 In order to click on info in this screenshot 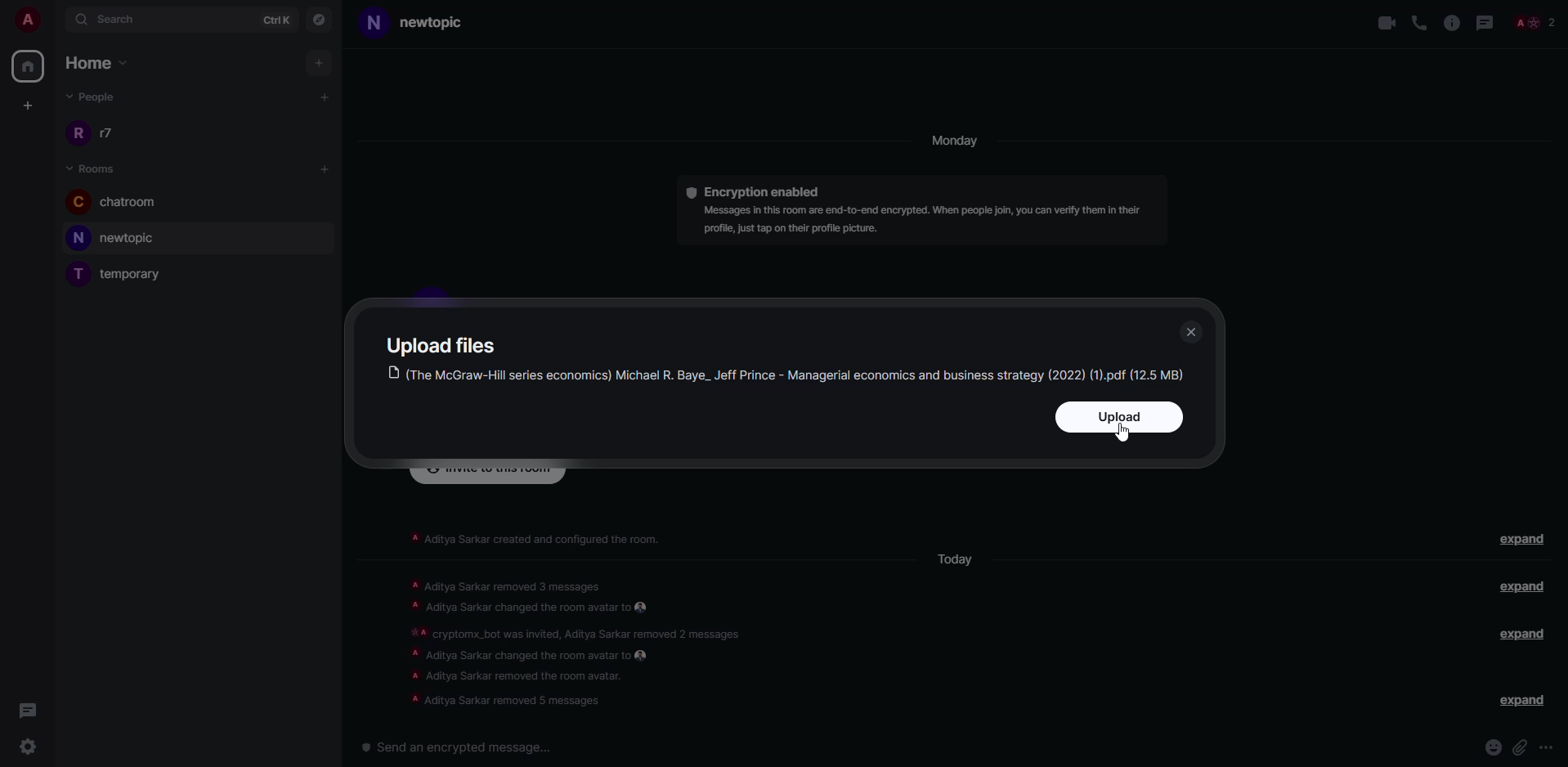, I will do `click(539, 536)`.